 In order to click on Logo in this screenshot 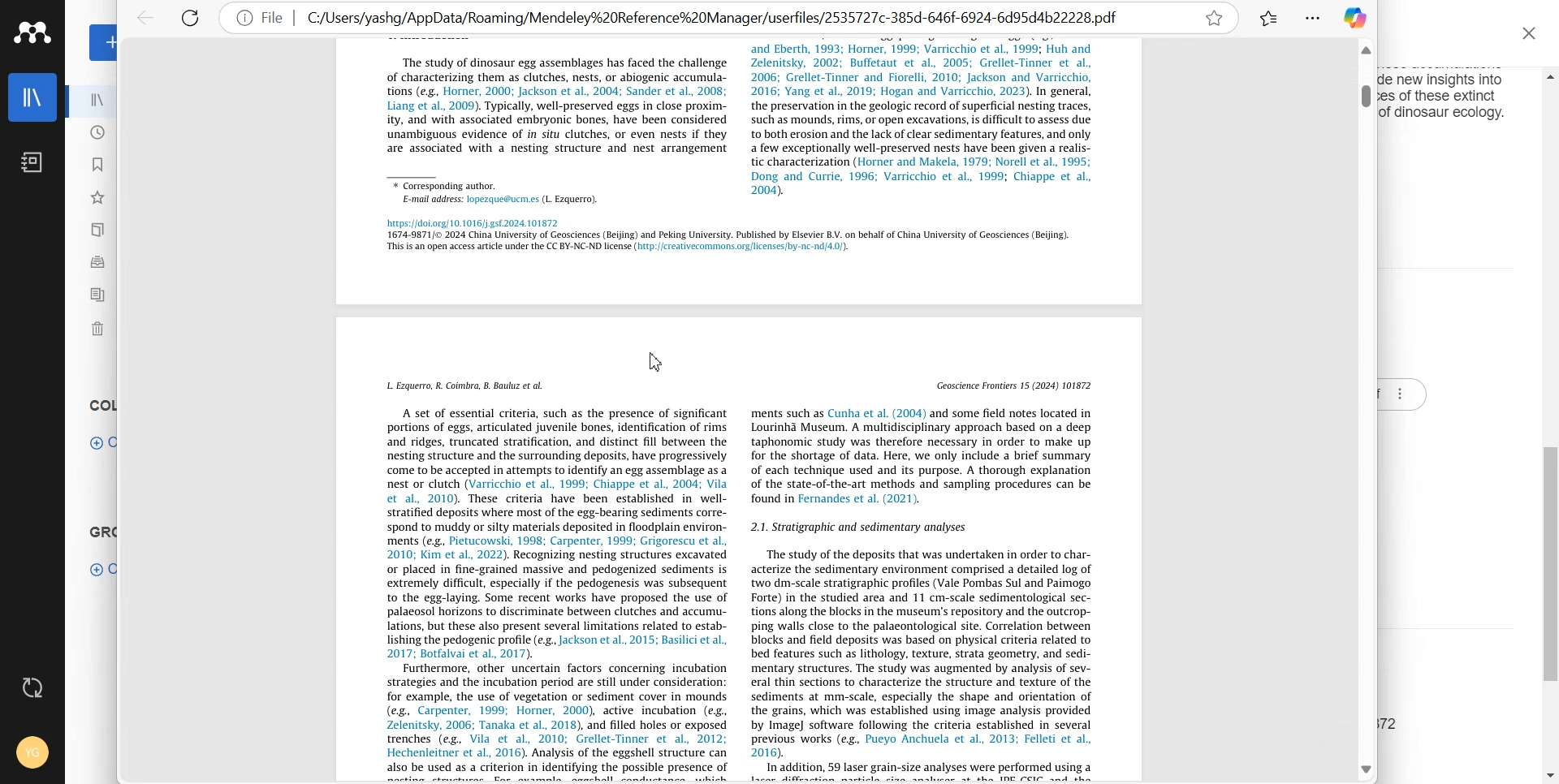, I will do `click(32, 32)`.